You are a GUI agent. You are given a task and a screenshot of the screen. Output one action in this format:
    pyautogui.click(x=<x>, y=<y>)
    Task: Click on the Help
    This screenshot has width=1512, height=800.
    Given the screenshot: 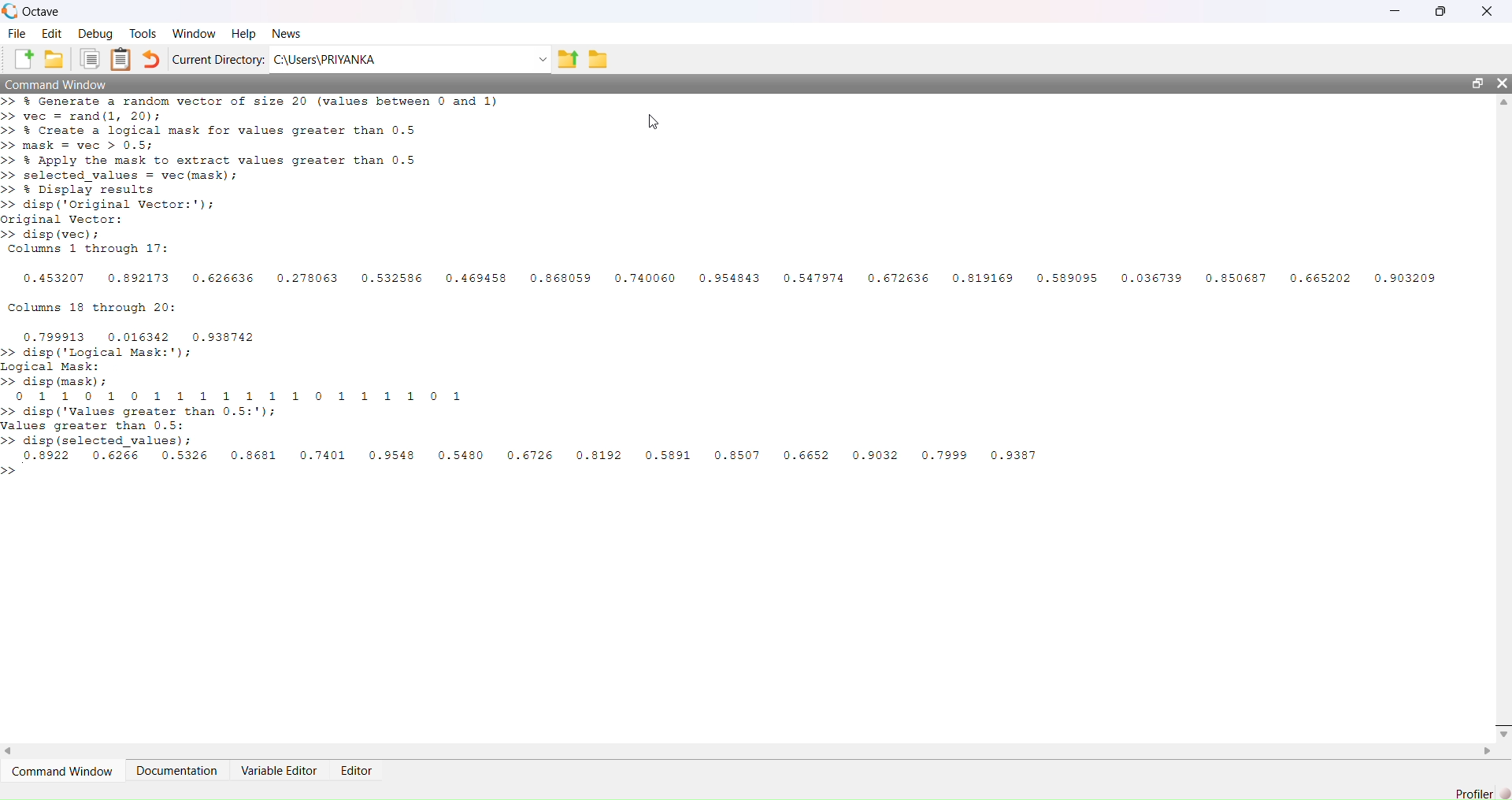 What is the action you would take?
    pyautogui.click(x=244, y=36)
    